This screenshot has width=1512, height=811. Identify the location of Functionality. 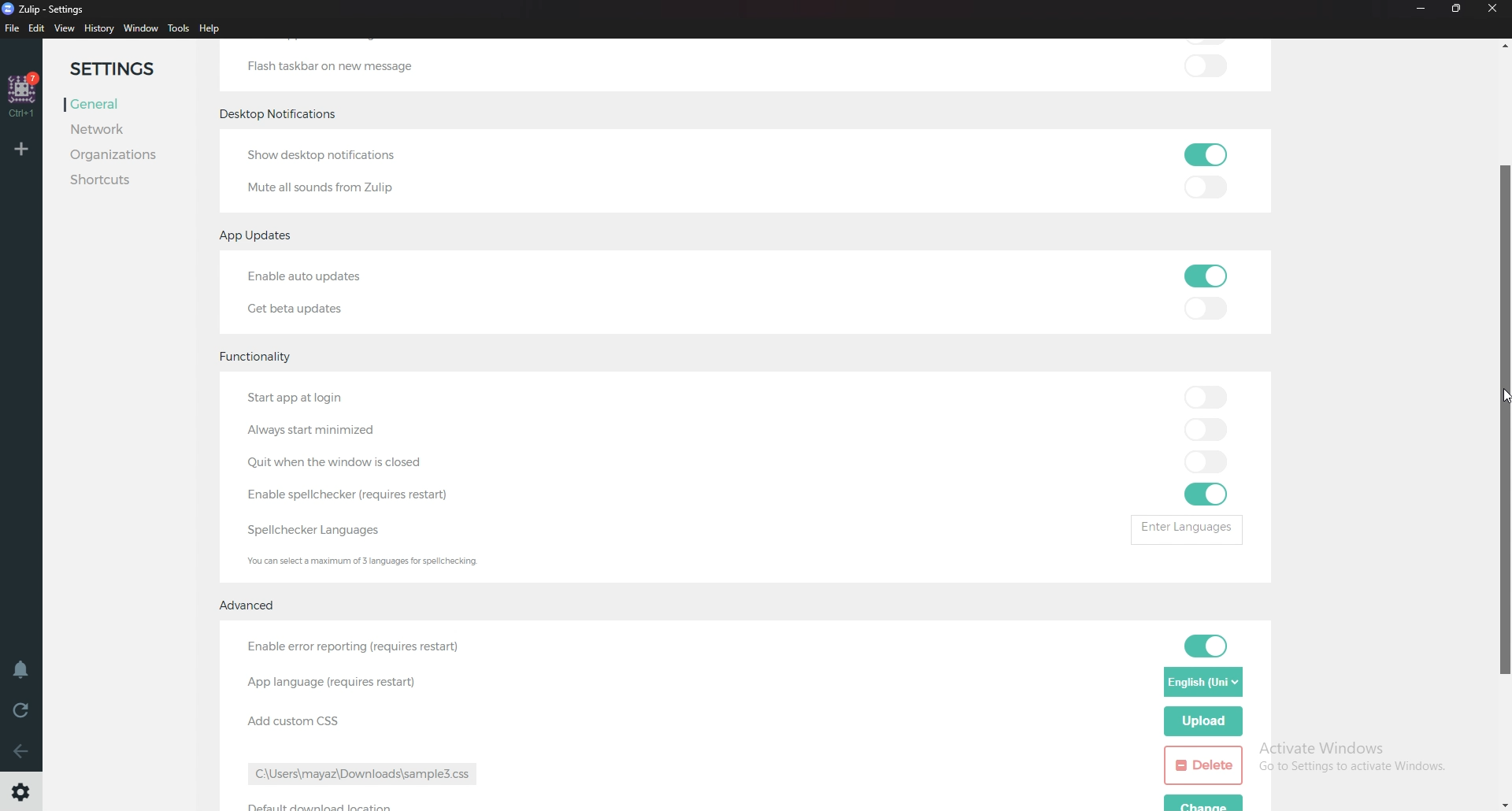
(264, 353).